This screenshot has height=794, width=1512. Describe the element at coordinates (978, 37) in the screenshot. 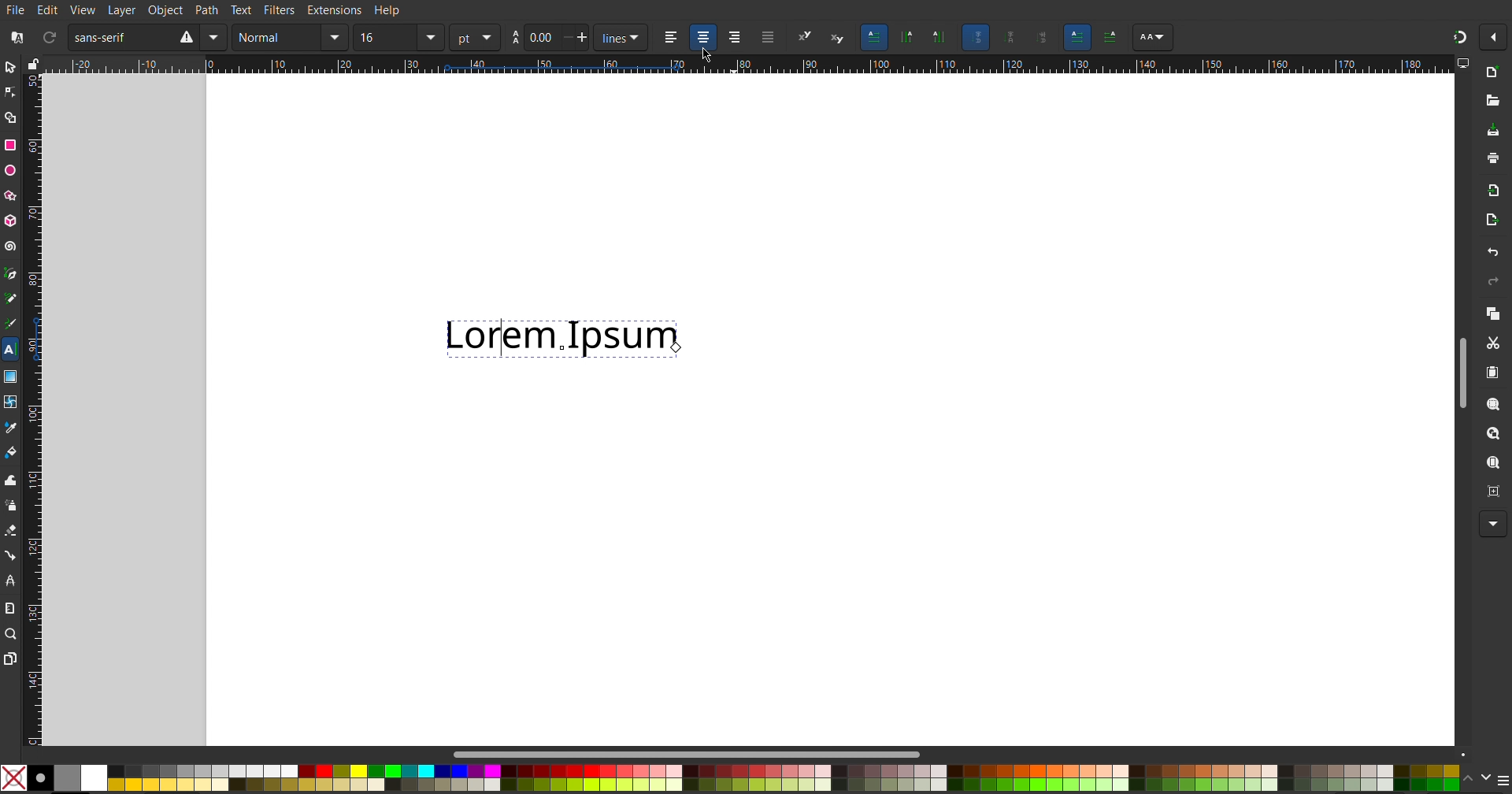

I see `Auto glyph orientation` at that location.